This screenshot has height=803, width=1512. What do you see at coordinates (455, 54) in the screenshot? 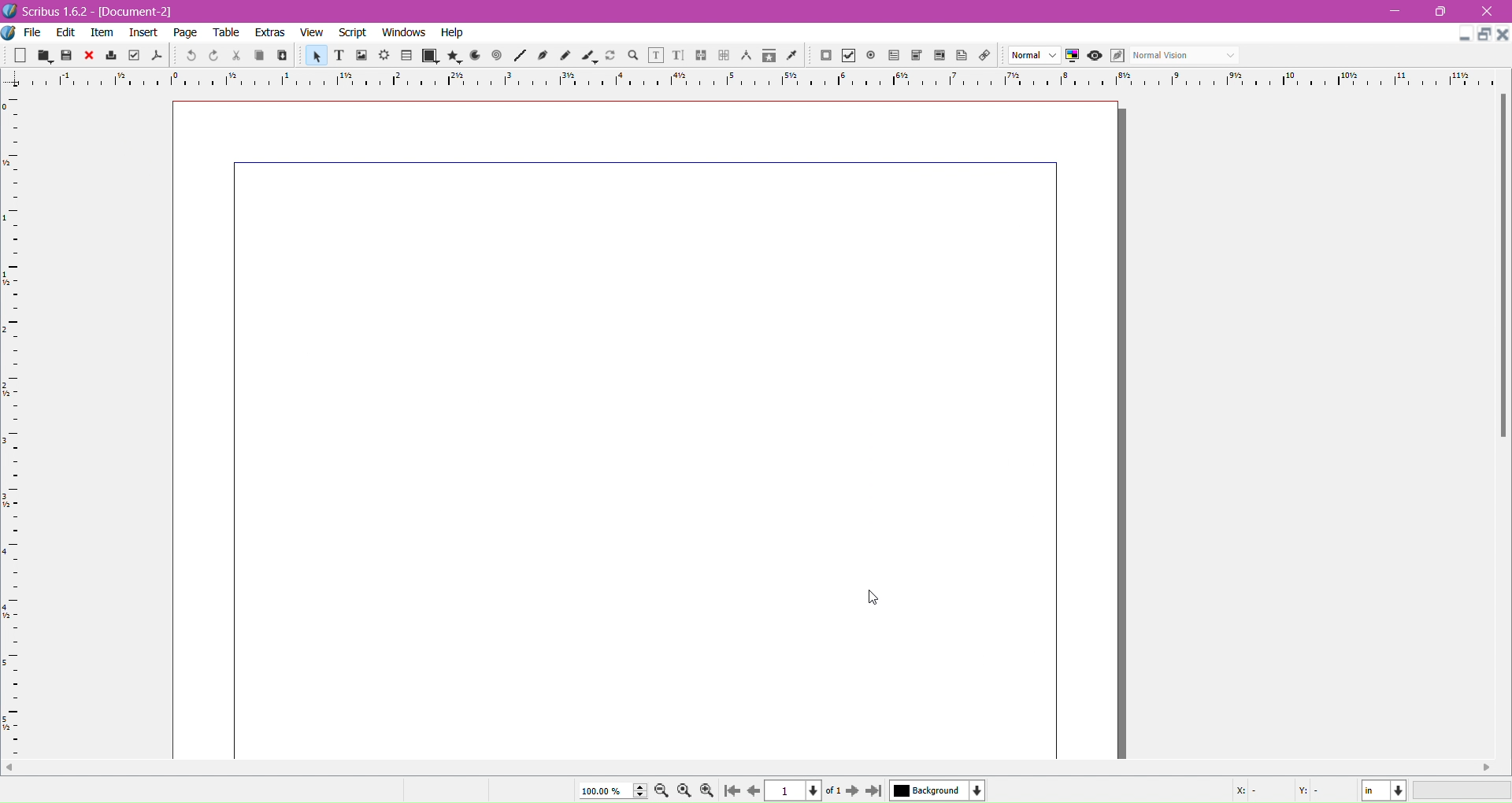
I see `icon` at bounding box center [455, 54].